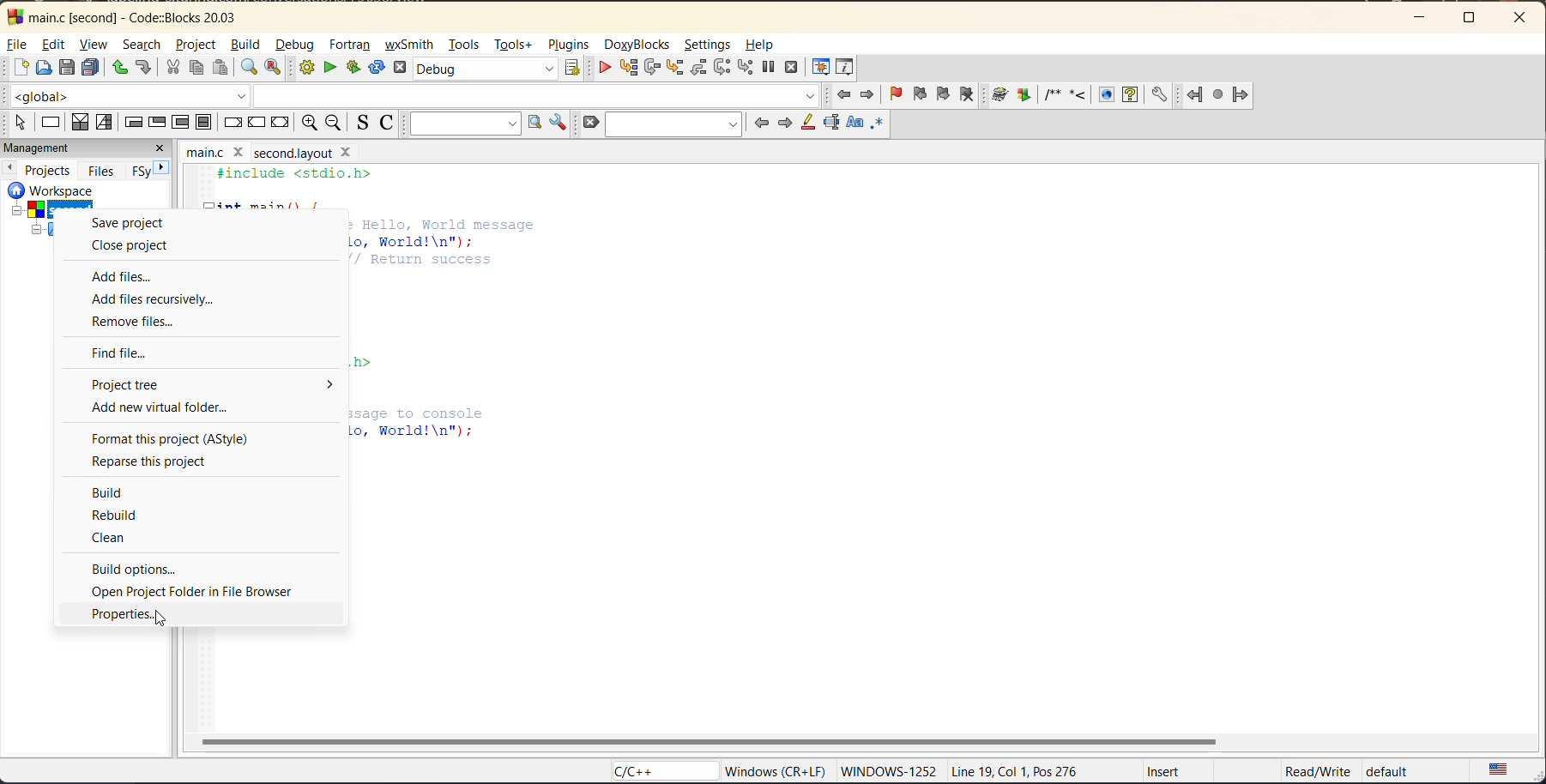 This screenshot has width=1546, height=784. I want to click on help, so click(765, 46).